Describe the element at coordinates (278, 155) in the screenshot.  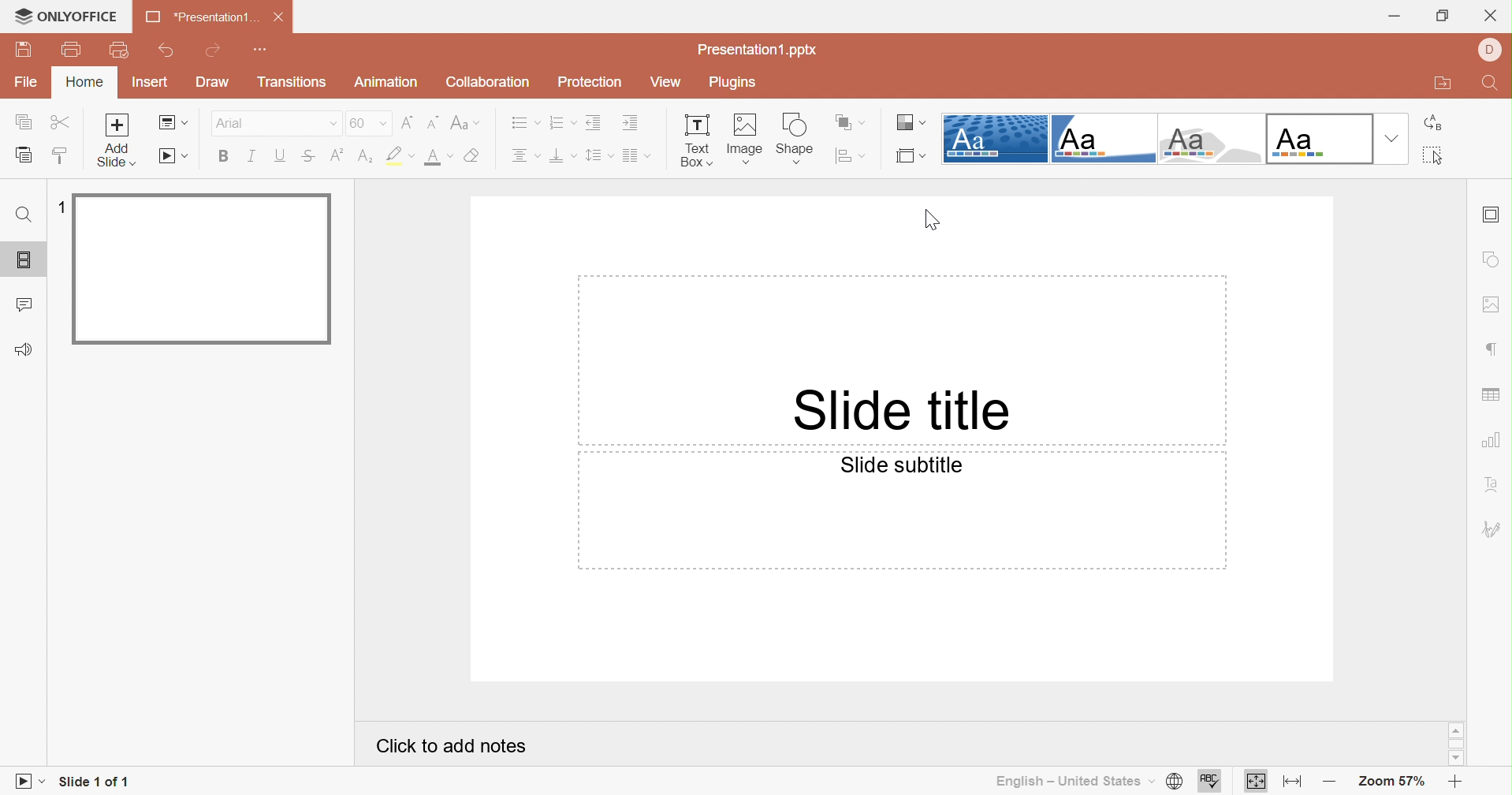
I see `Underline` at that location.